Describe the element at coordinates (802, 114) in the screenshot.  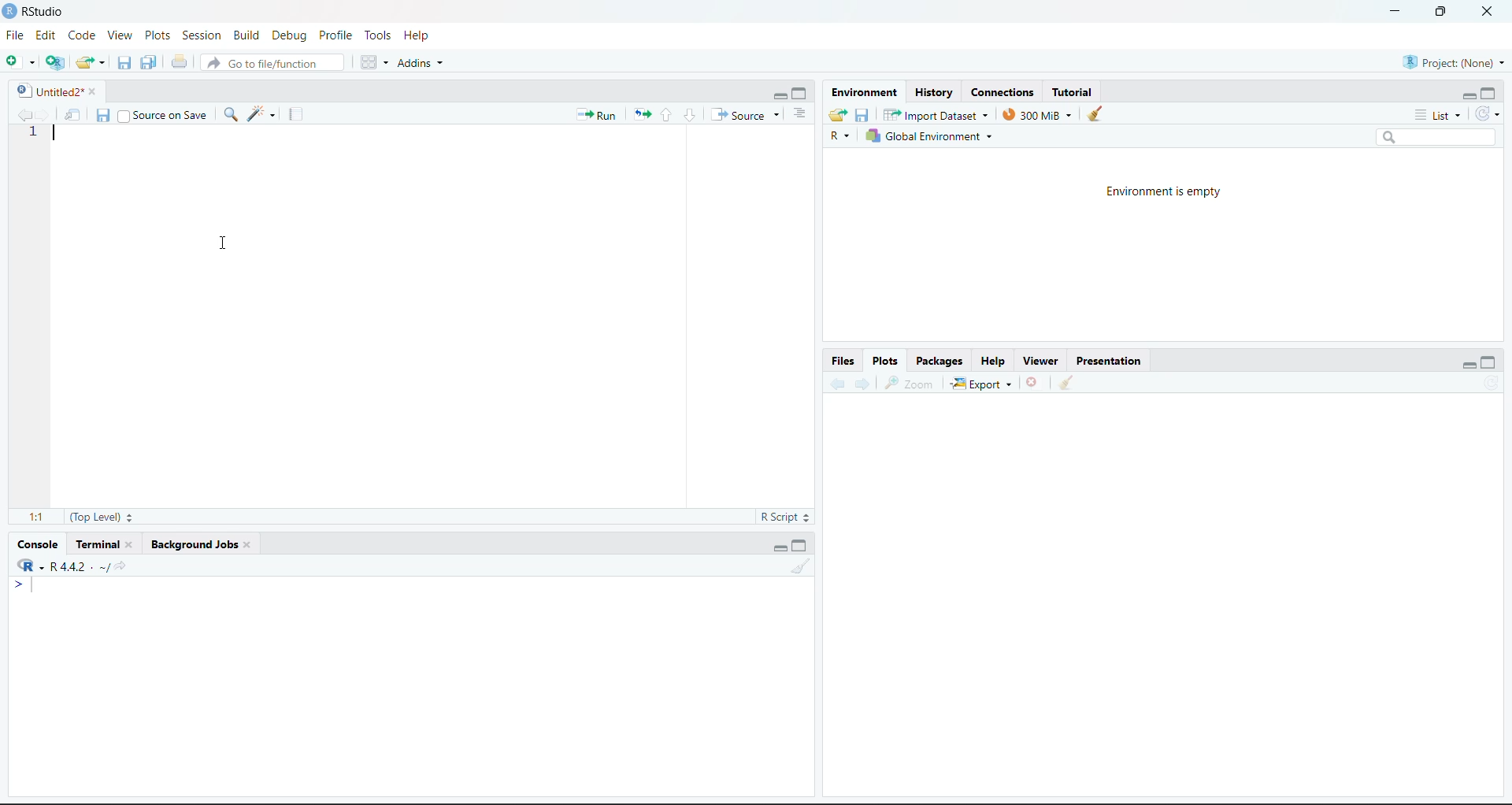
I see `show document outline` at that location.